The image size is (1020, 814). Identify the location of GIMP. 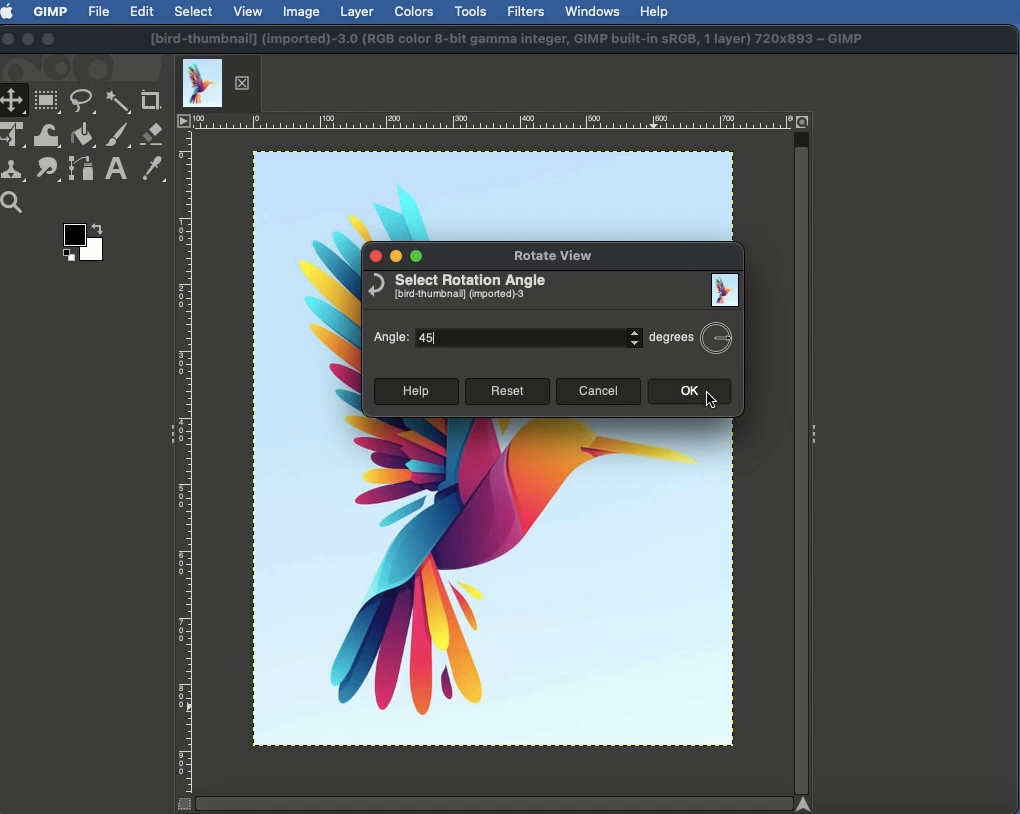
(49, 11).